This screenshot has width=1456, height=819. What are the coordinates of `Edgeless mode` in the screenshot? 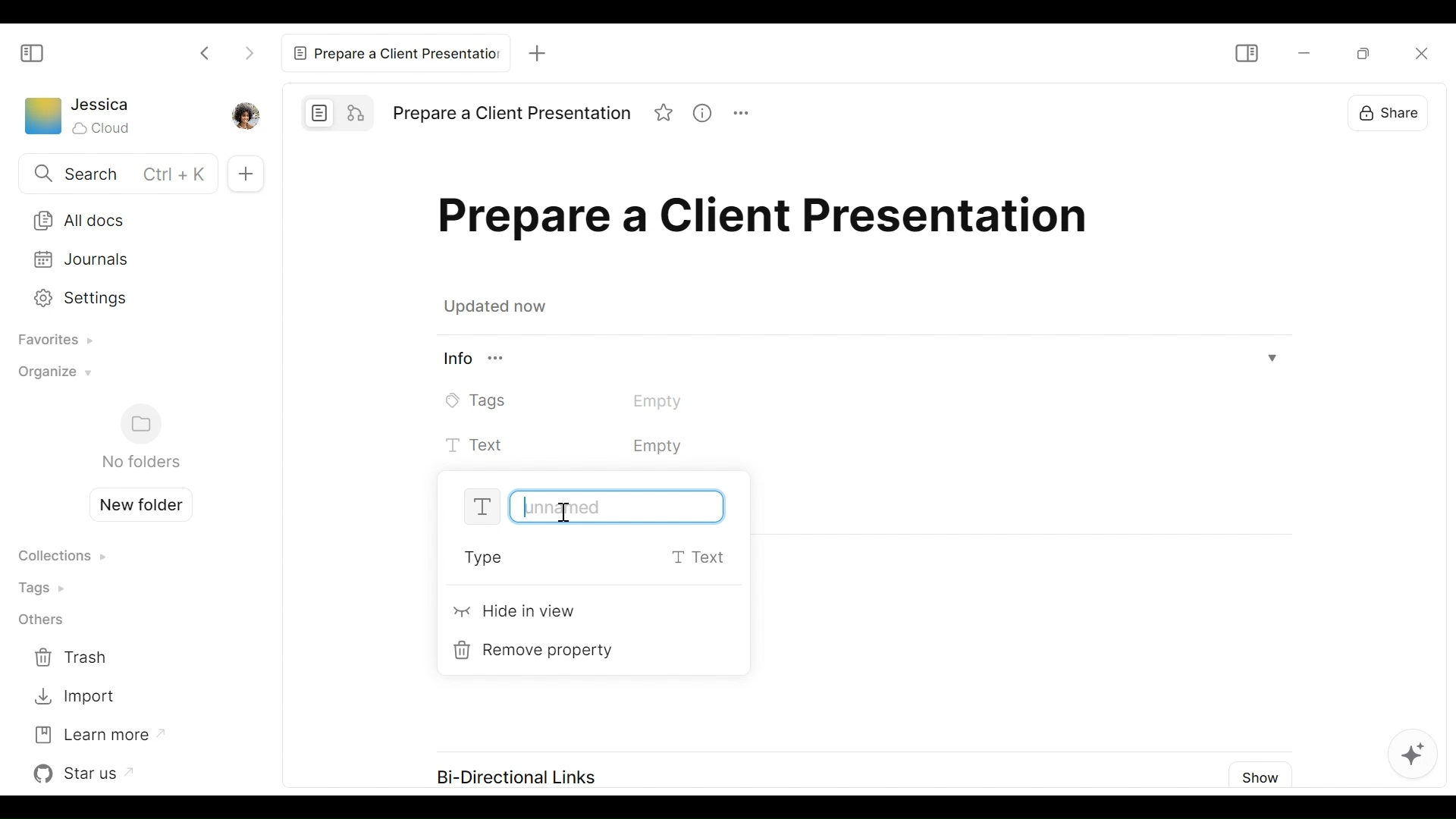 It's located at (358, 111).